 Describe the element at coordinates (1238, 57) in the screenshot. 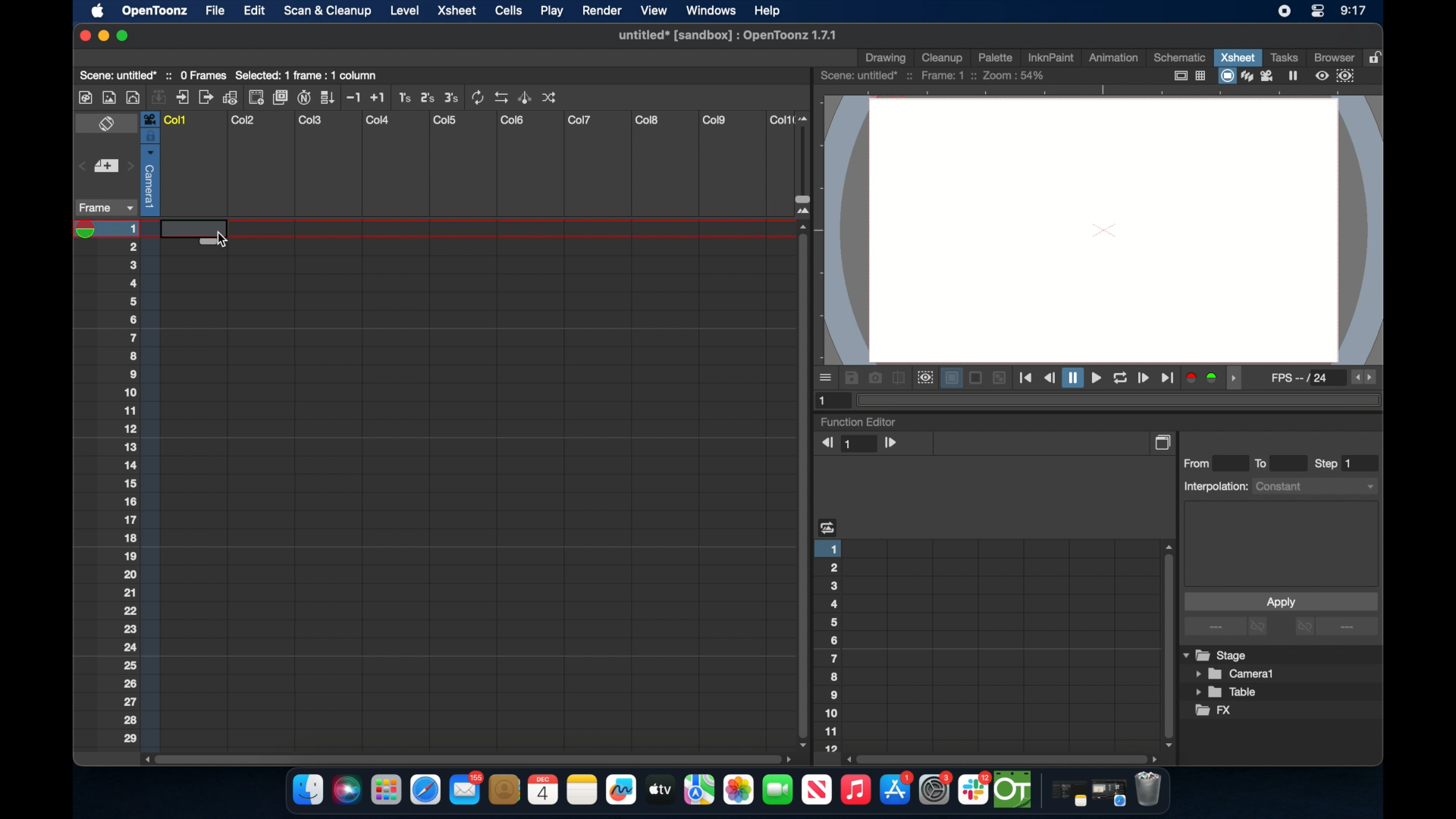

I see `xsheet` at that location.